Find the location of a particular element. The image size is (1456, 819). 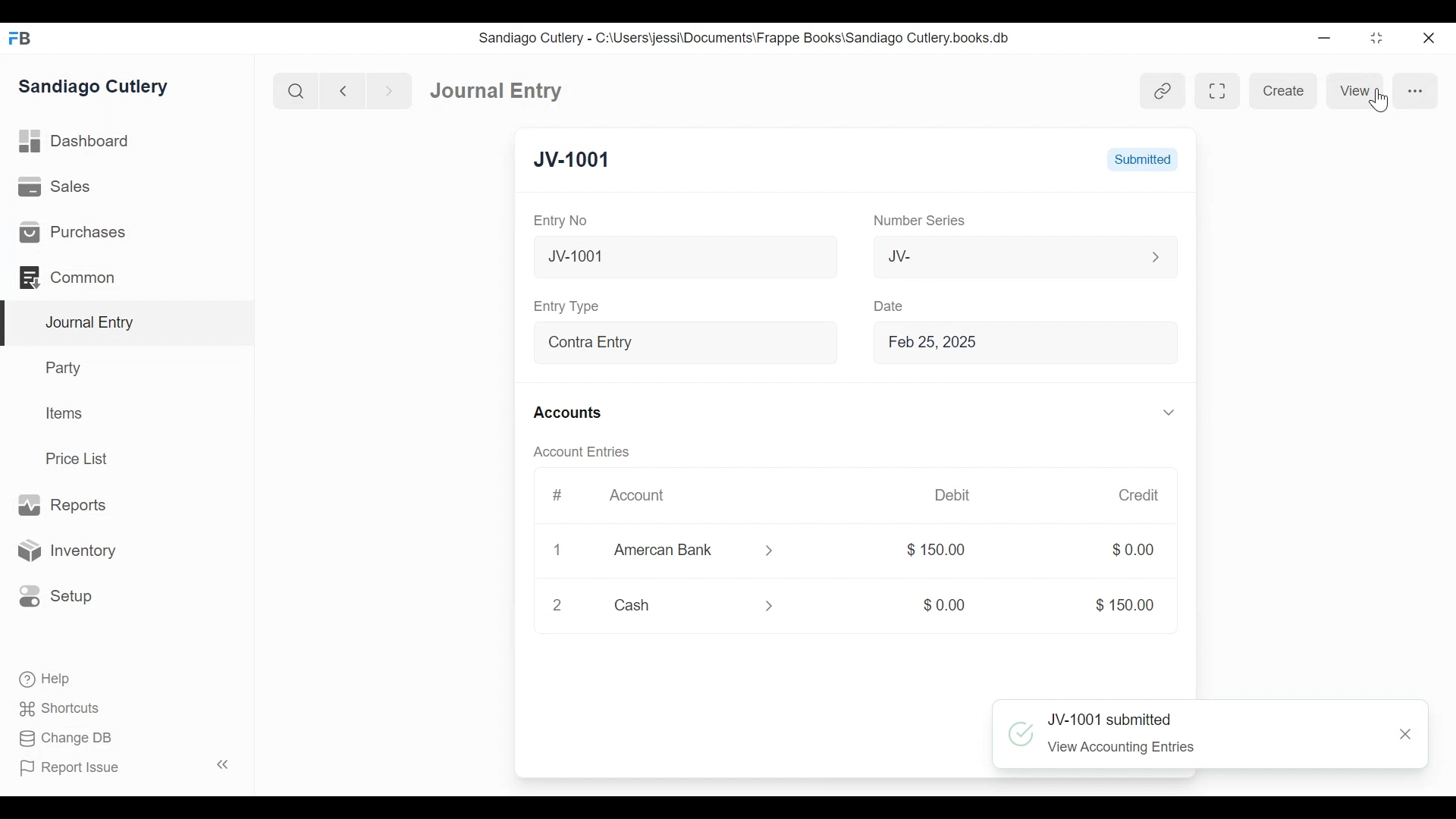

Account is located at coordinates (646, 500).